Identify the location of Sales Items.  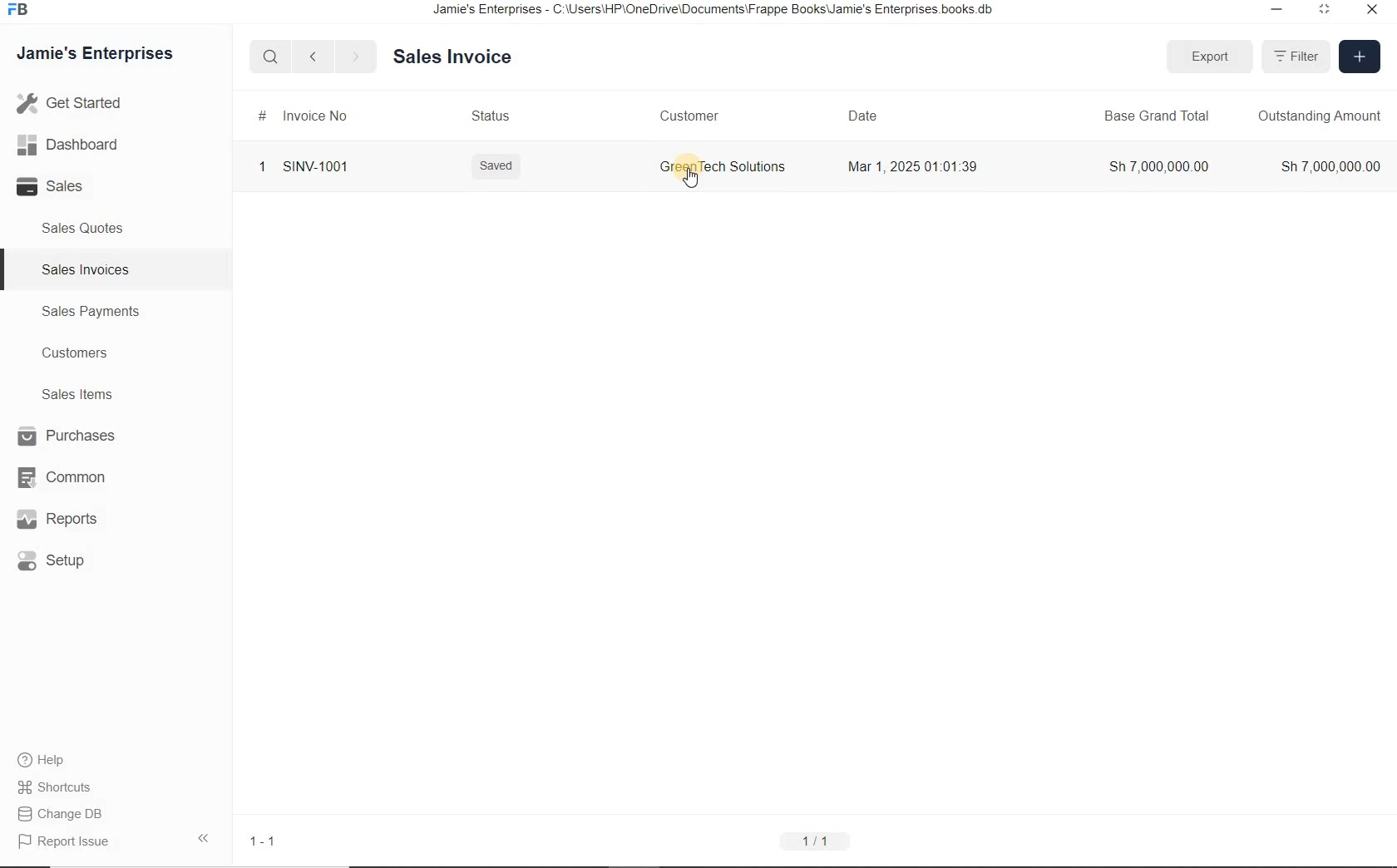
(73, 394).